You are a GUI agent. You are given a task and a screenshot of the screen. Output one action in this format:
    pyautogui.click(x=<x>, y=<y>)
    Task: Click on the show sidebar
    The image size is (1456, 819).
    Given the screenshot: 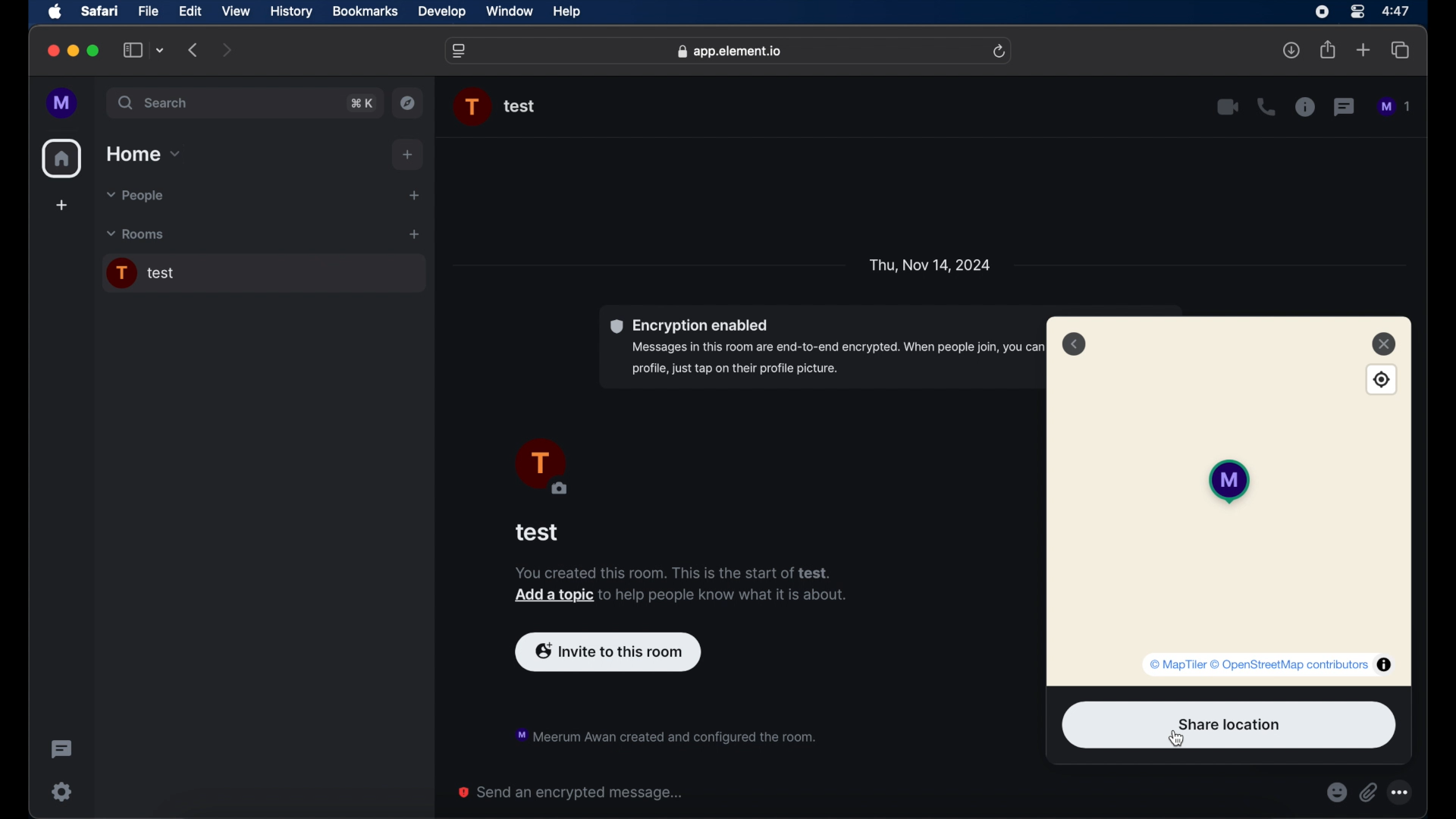 What is the action you would take?
    pyautogui.click(x=132, y=51)
    